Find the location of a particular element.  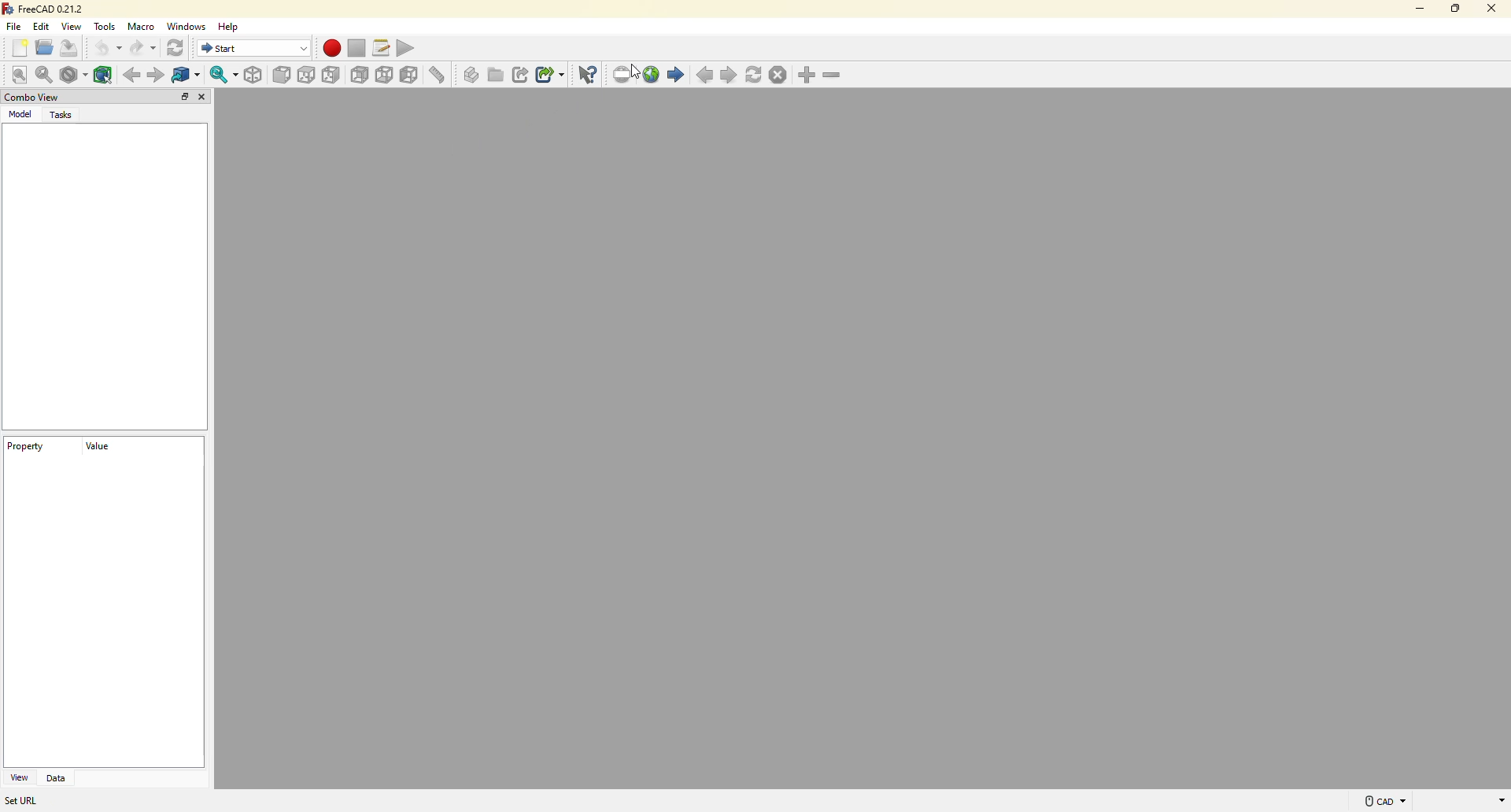

model is located at coordinates (21, 115).